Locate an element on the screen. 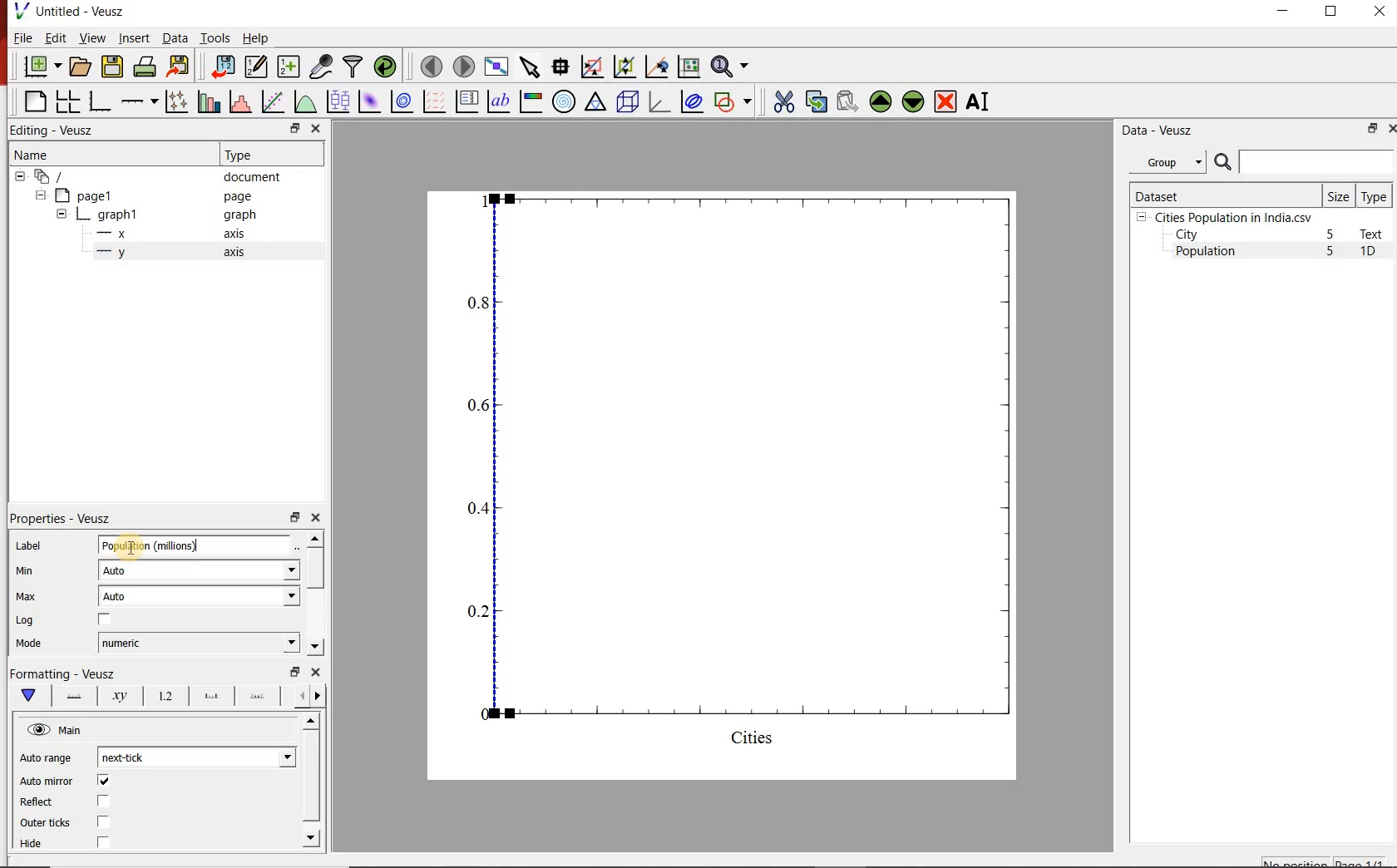  histogram of a dataset is located at coordinates (238, 101).